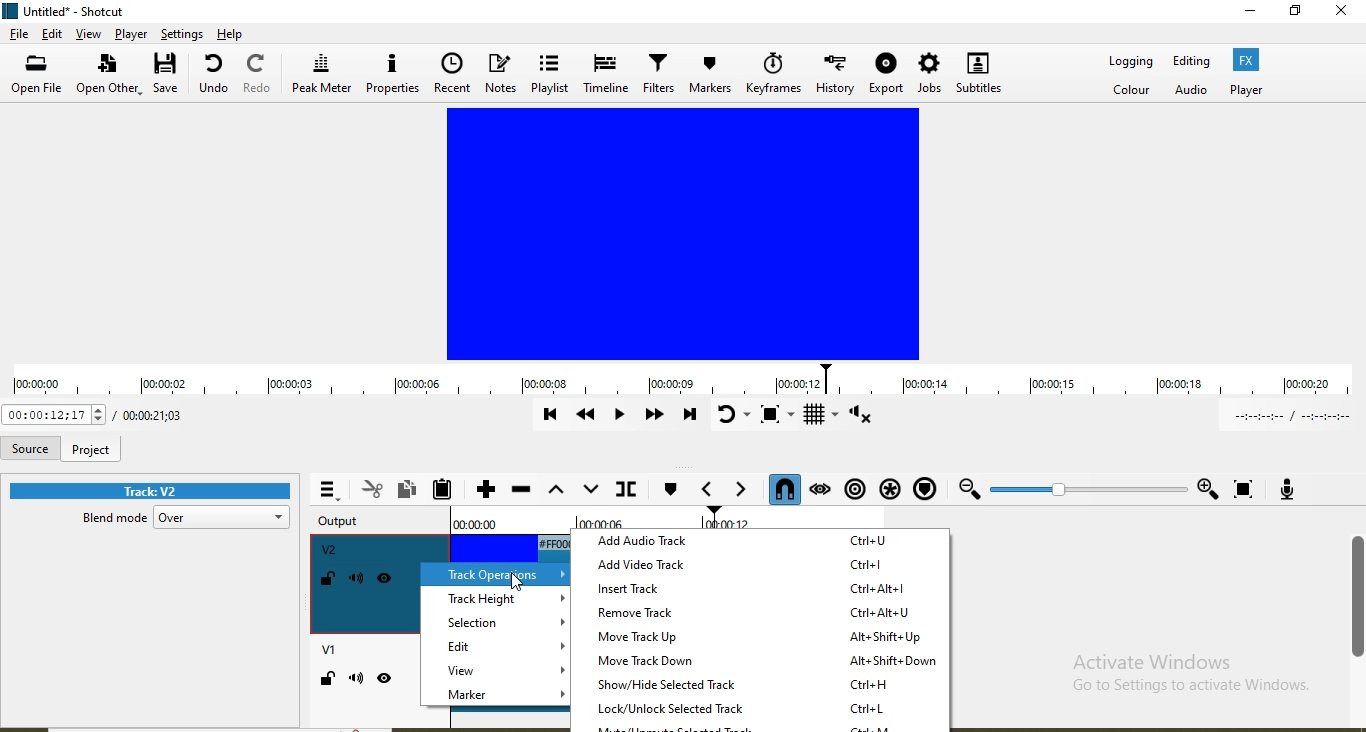 The height and width of the screenshot is (732, 1366). What do you see at coordinates (833, 77) in the screenshot?
I see `History` at bounding box center [833, 77].